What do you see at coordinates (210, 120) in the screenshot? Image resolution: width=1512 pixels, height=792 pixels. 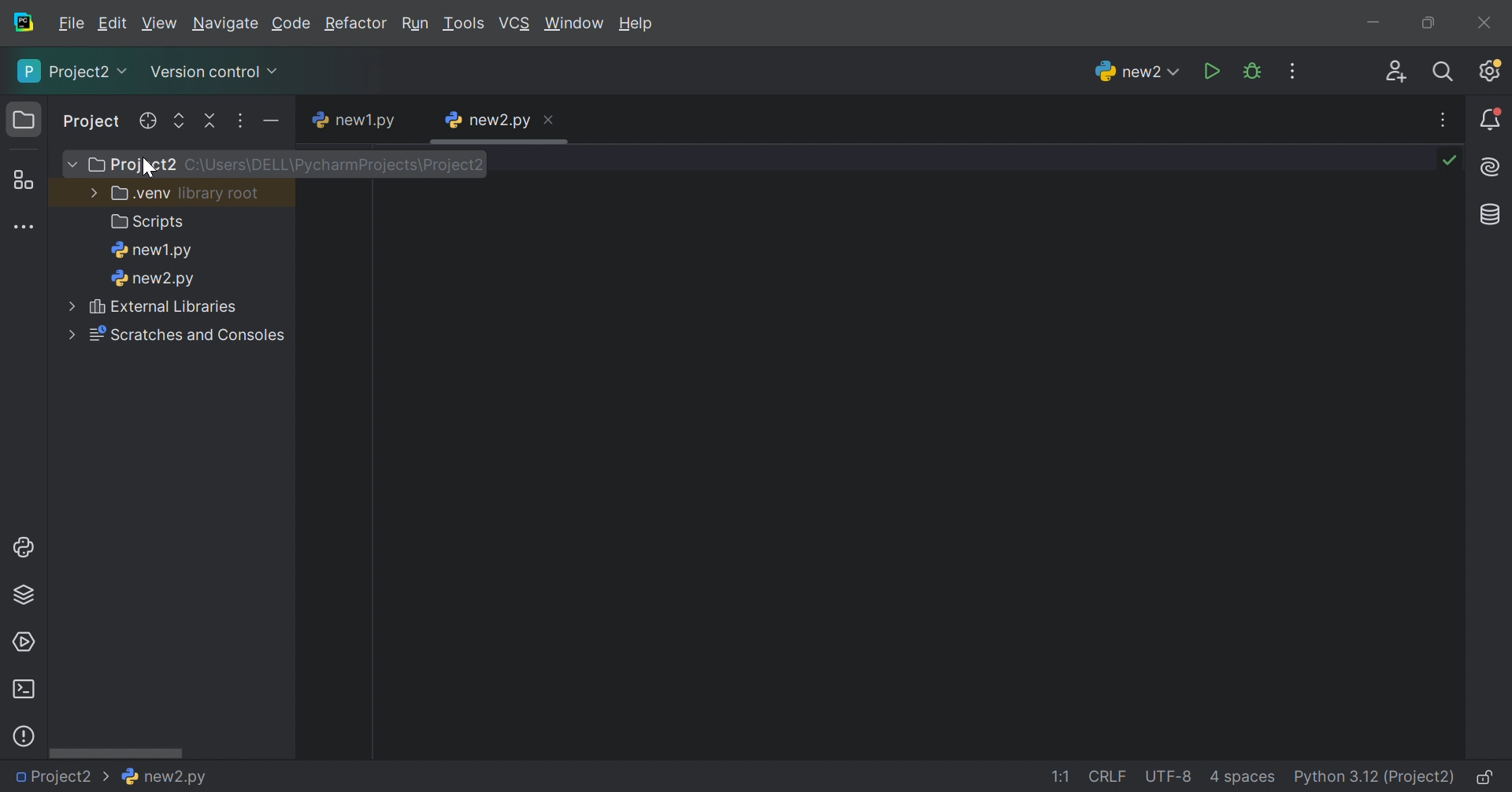 I see `Collapse all` at bounding box center [210, 120].